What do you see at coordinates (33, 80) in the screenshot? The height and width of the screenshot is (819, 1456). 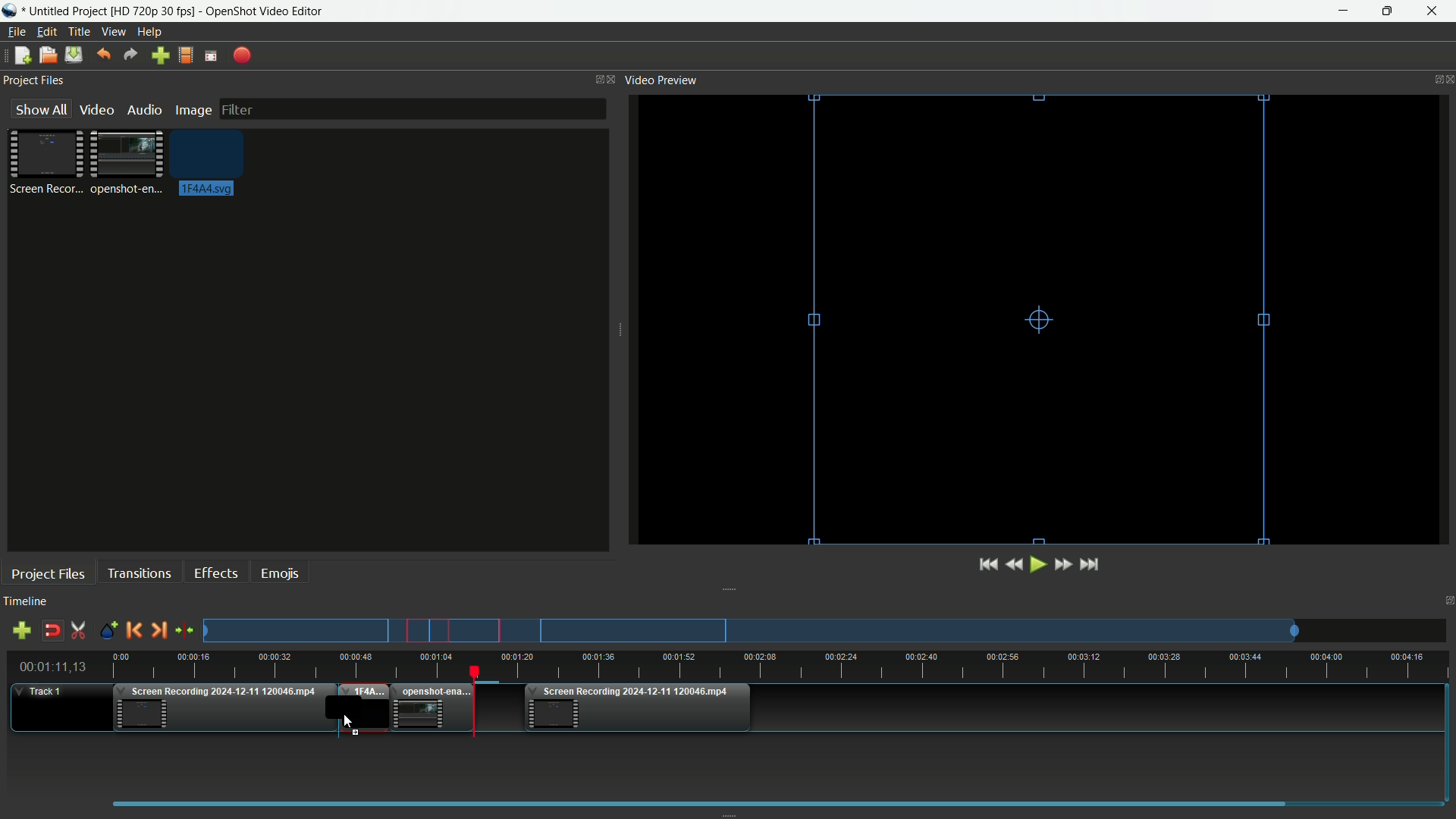 I see `Project files` at bounding box center [33, 80].